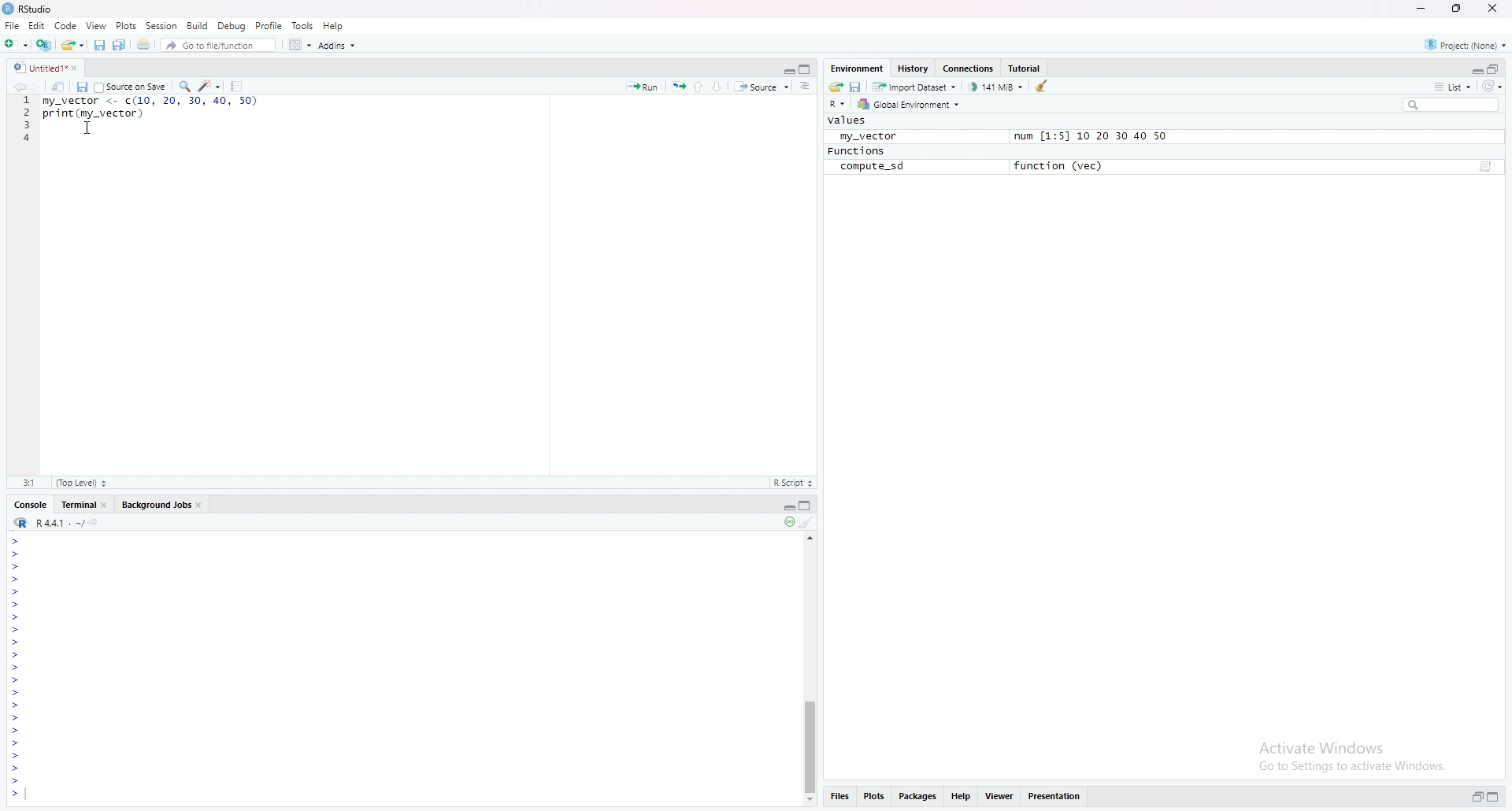 The image size is (1512, 811). Describe the element at coordinates (18, 668) in the screenshot. I see `Prompt cursor` at that location.